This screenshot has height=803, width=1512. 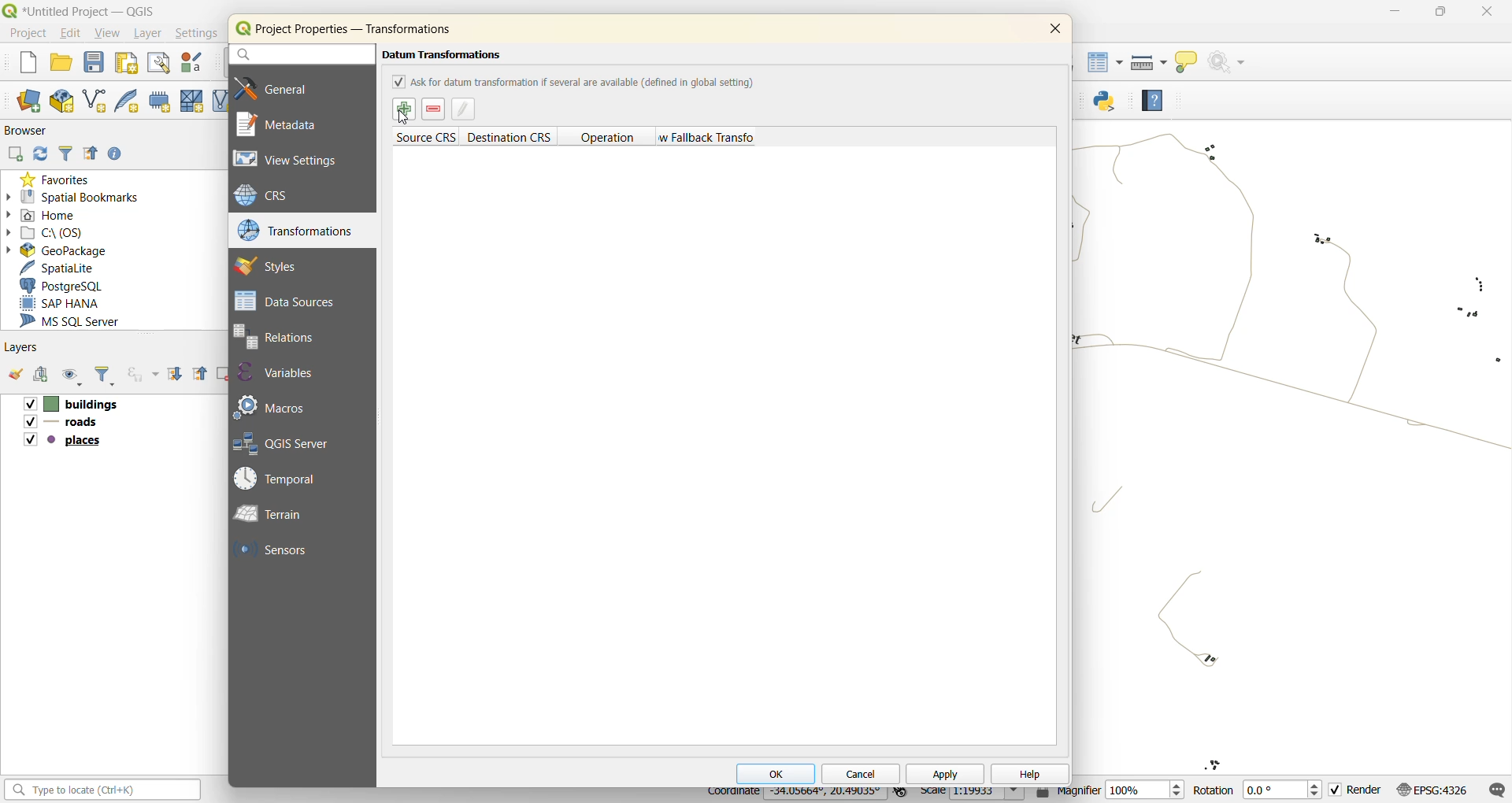 I want to click on minimize, so click(x=1392, y=13).